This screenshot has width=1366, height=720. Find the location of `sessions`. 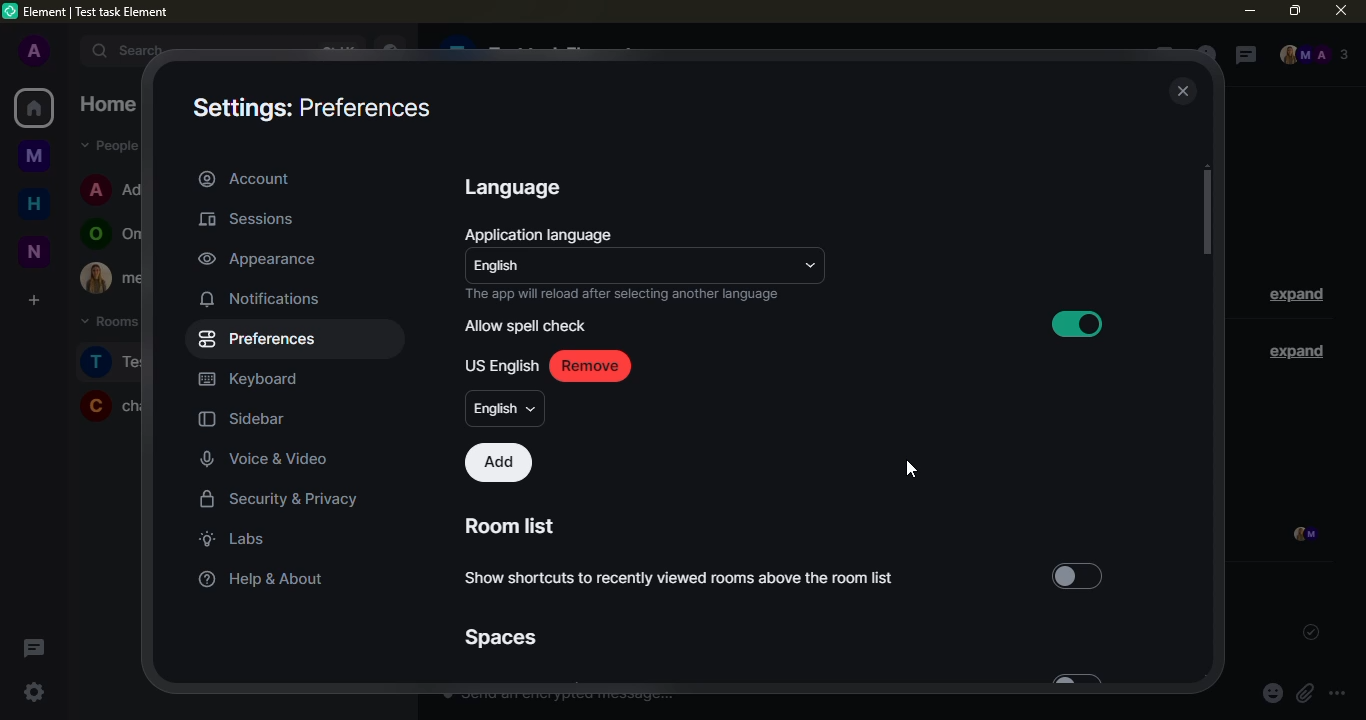

sessions is located at coordinates (253, 220).